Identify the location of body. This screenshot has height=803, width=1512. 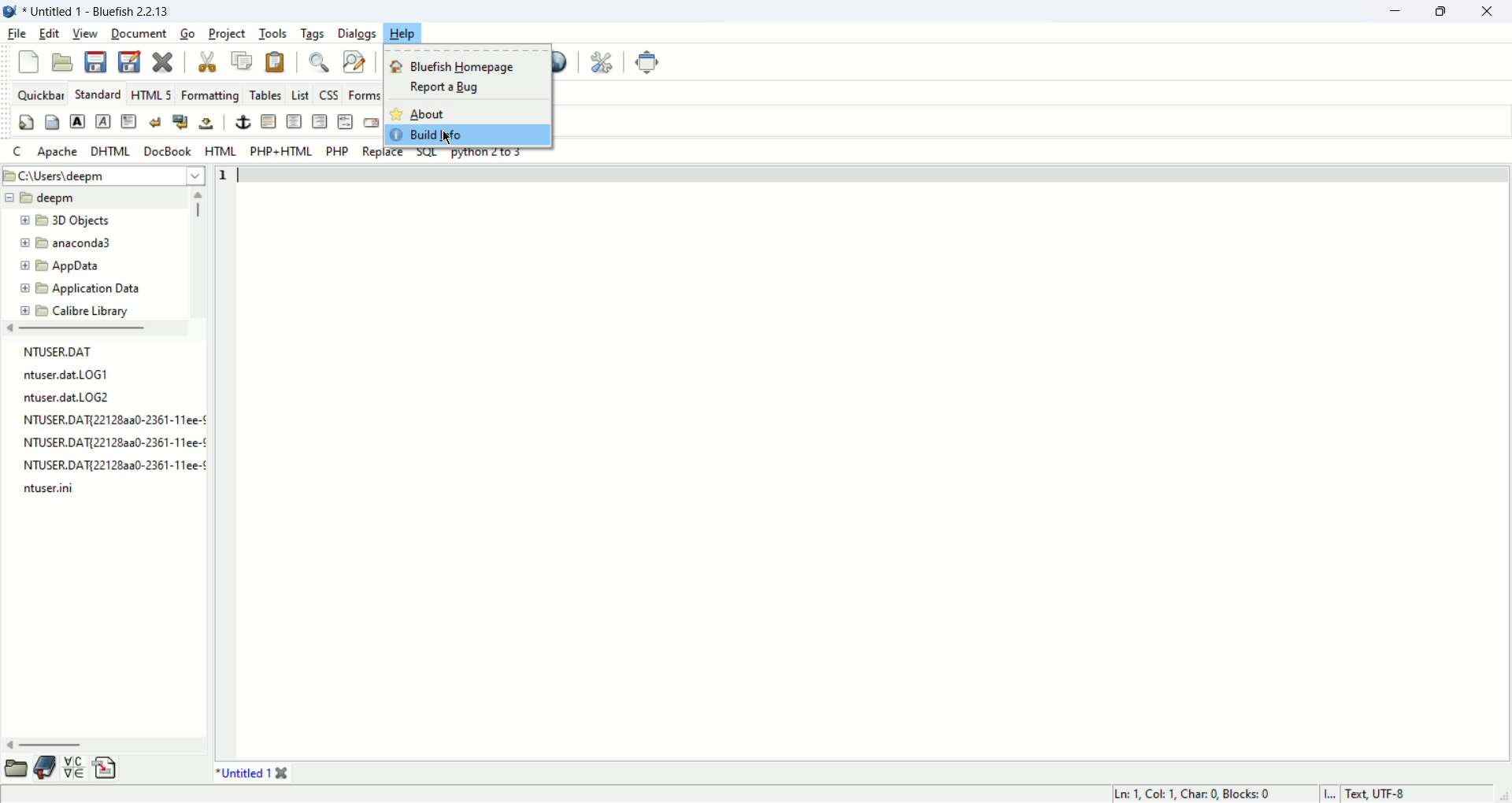
(54, 123).